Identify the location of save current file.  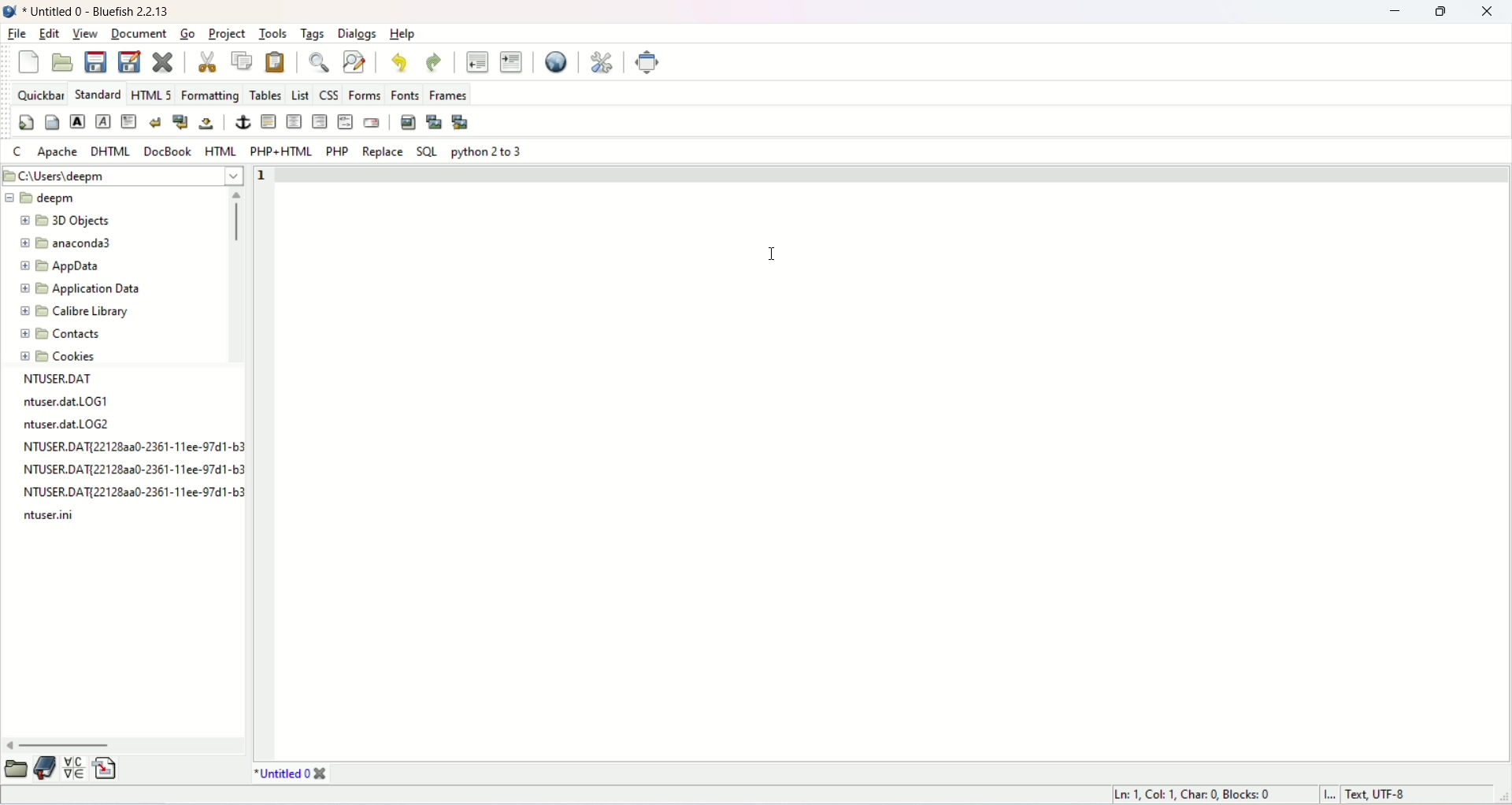
(93, 61).